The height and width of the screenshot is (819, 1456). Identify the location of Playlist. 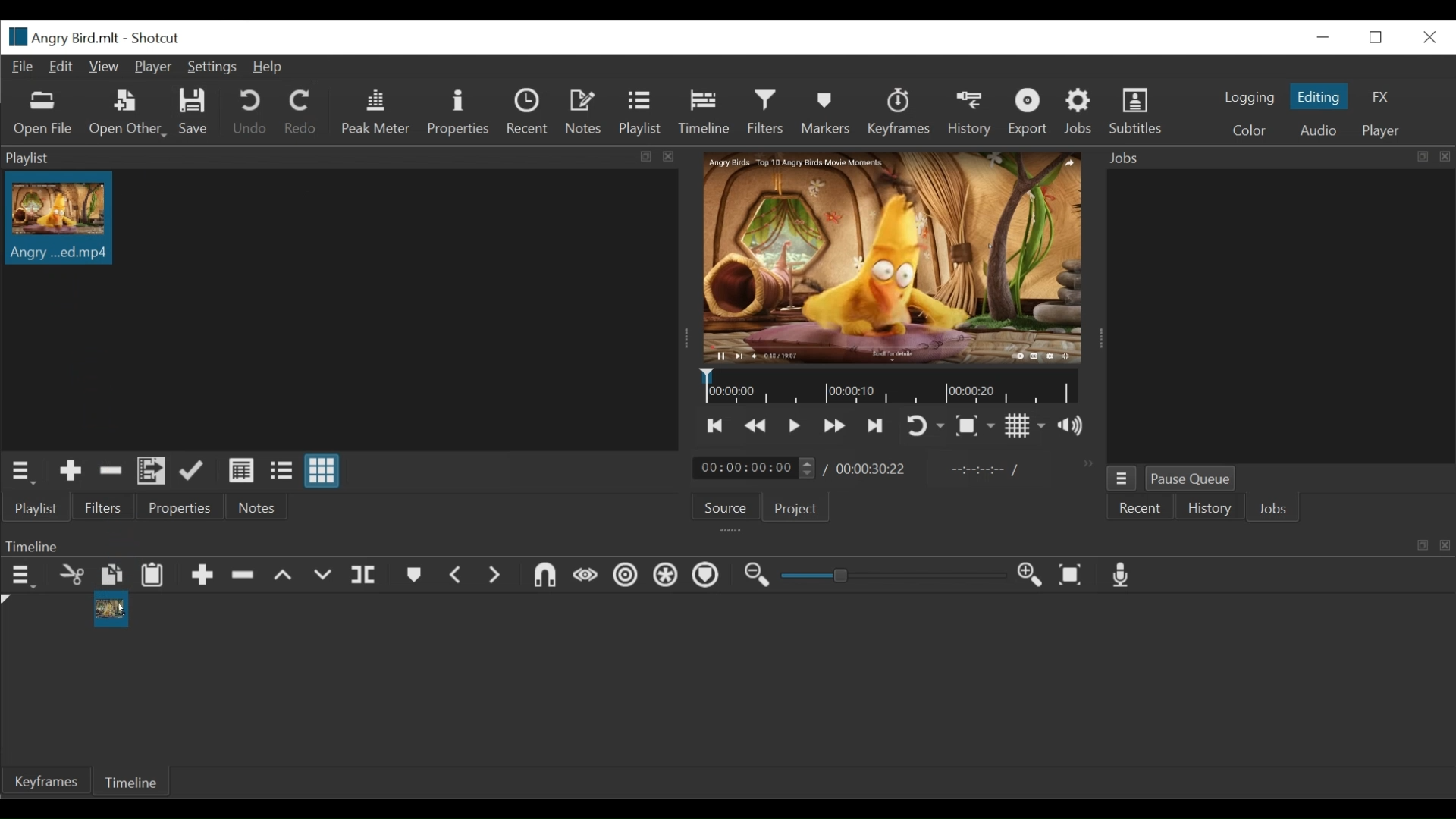
(34, 508).